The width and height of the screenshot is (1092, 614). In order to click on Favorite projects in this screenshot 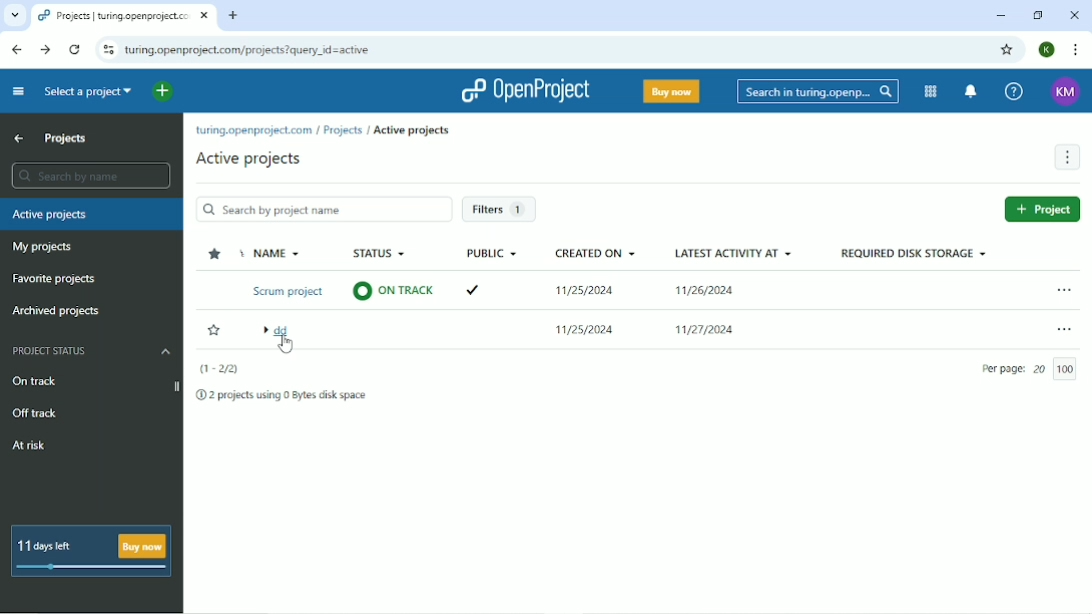, I will do `click(55, 279)`.